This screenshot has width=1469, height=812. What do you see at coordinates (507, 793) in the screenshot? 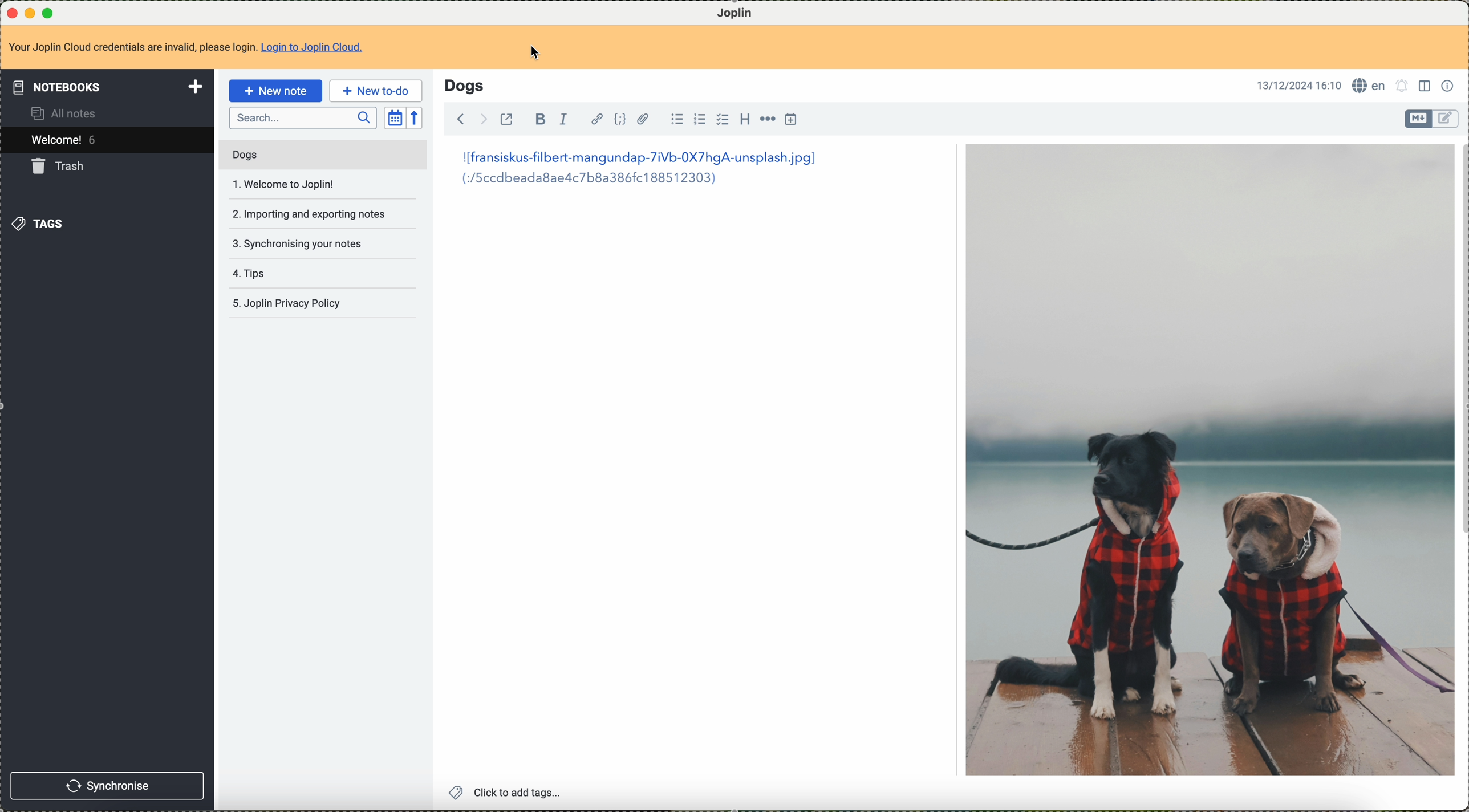
I see `click to add tags` at bounding box center [507, 793].